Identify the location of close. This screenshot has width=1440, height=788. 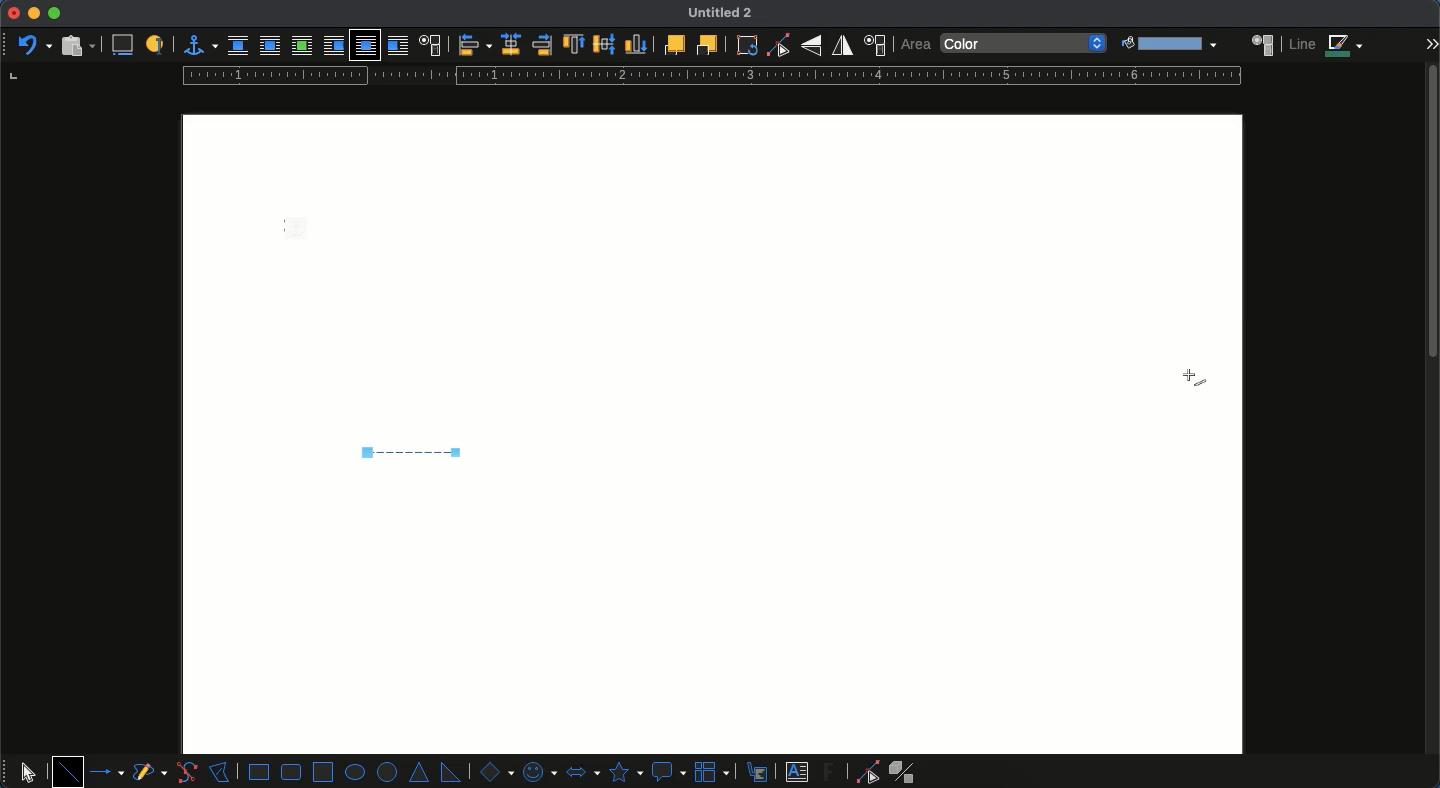
(13, 13).